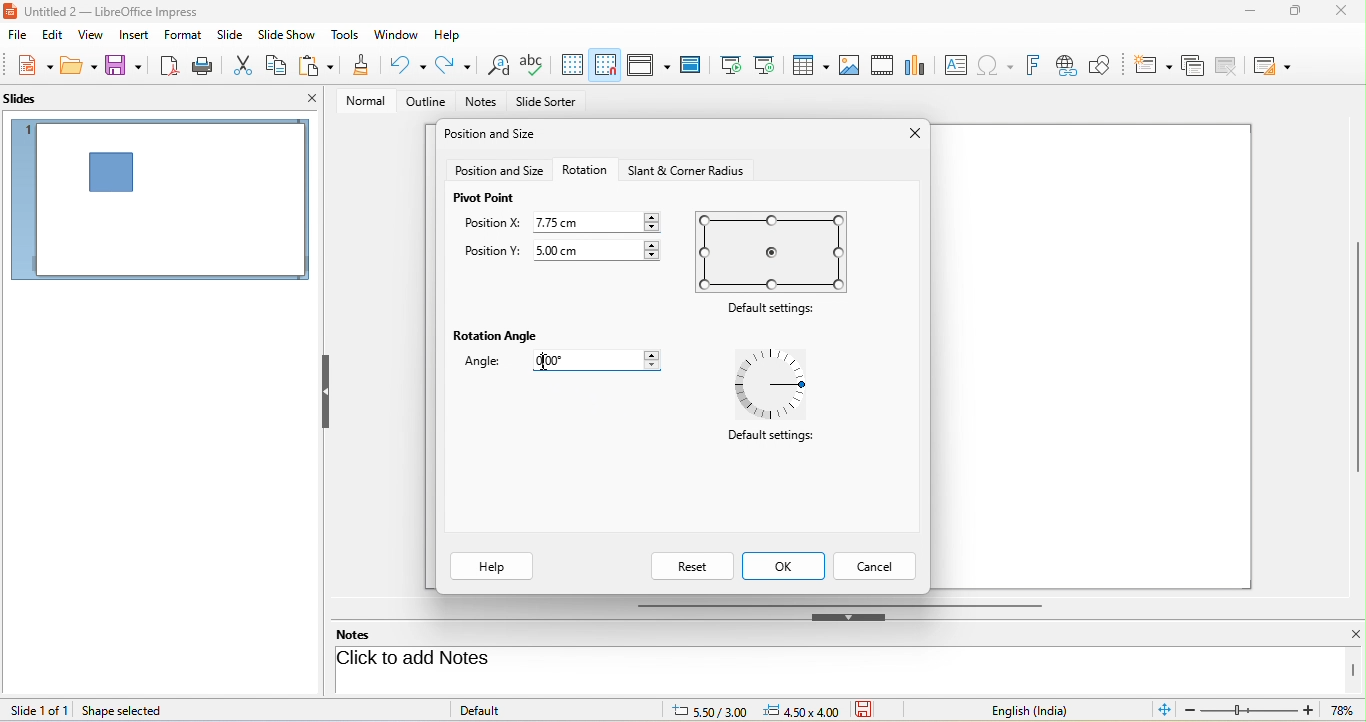 This screenshot has width=1366, height=722. Describe the element at coordinates (770, 65) in the screenshot. I see `start from current slide` at that location.